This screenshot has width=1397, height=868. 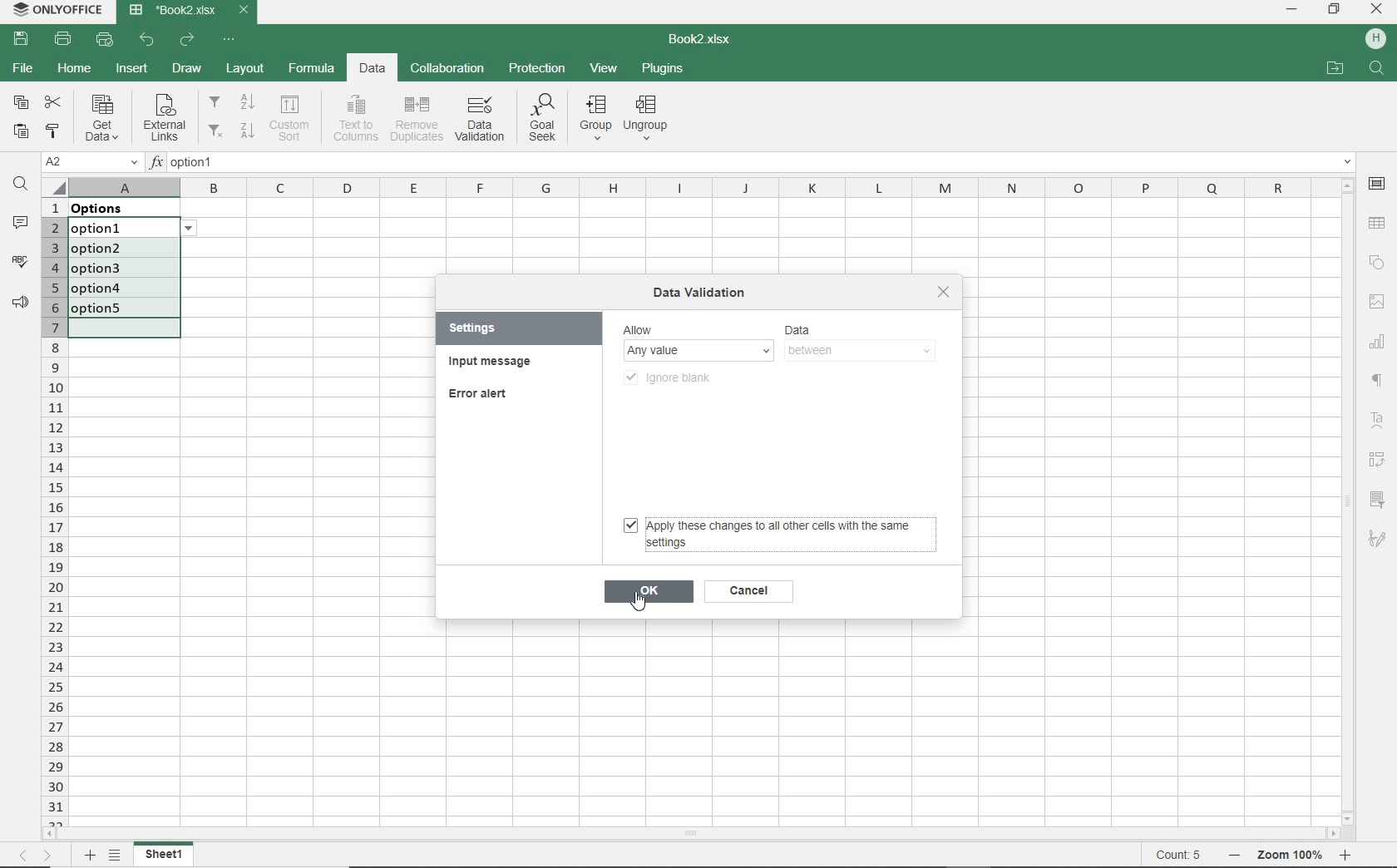 I want to click on Text to columns, so click(x=356, y=116).